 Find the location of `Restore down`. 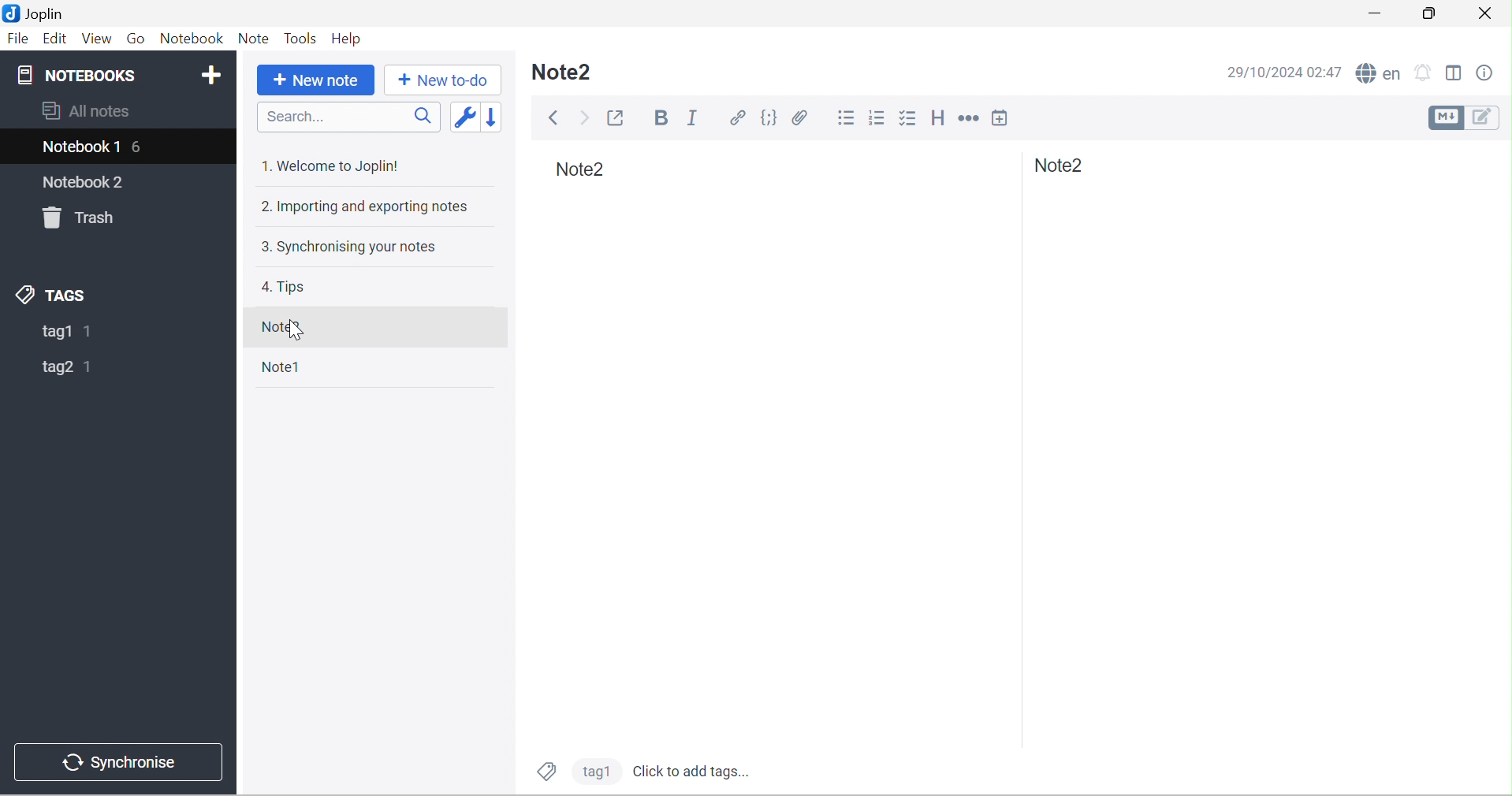

Restore down is located at coordinates (1429, 15).